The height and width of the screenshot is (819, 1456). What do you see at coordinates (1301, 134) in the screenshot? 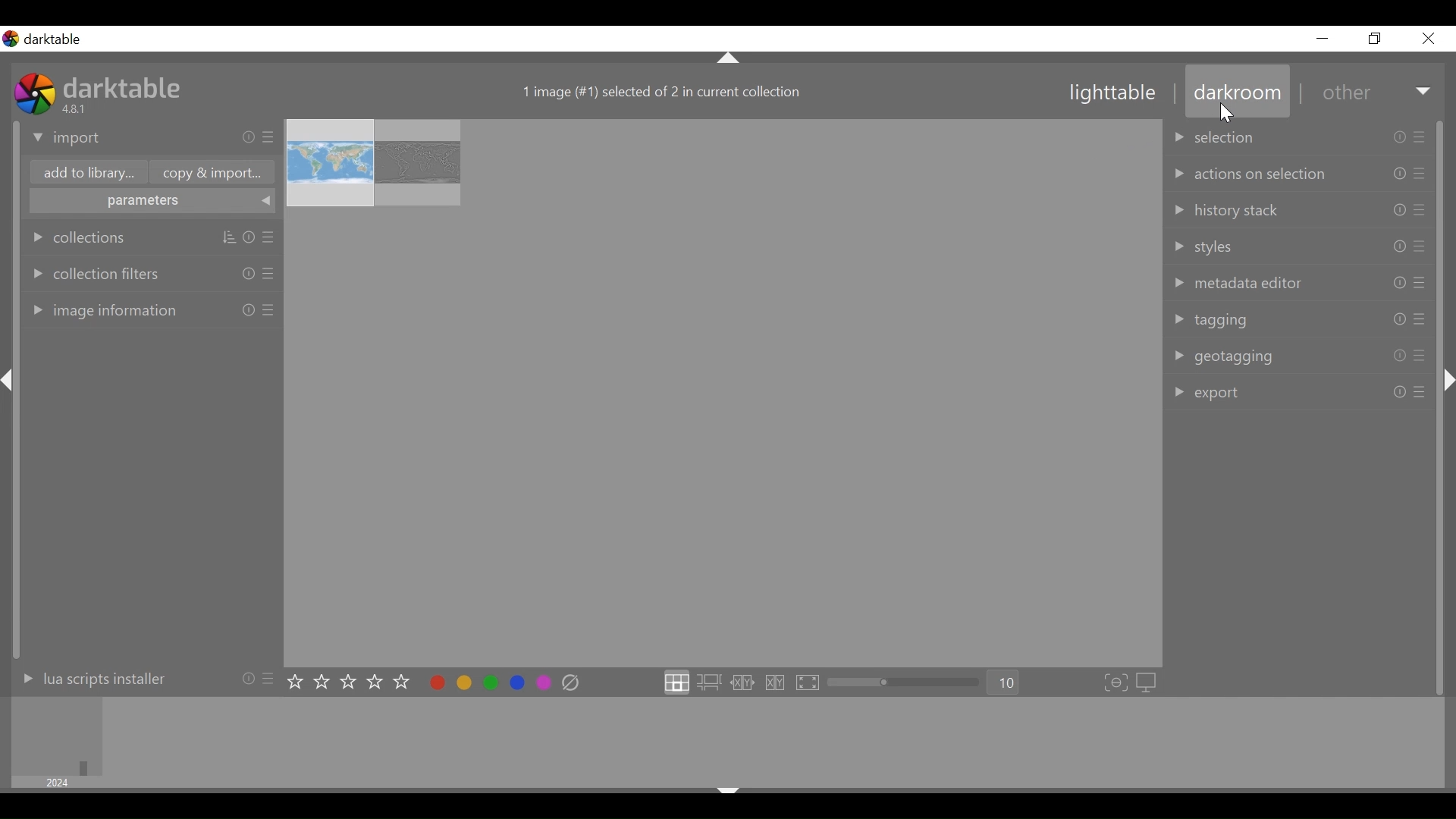
I see `selection` at bounding box center [1301, 134].